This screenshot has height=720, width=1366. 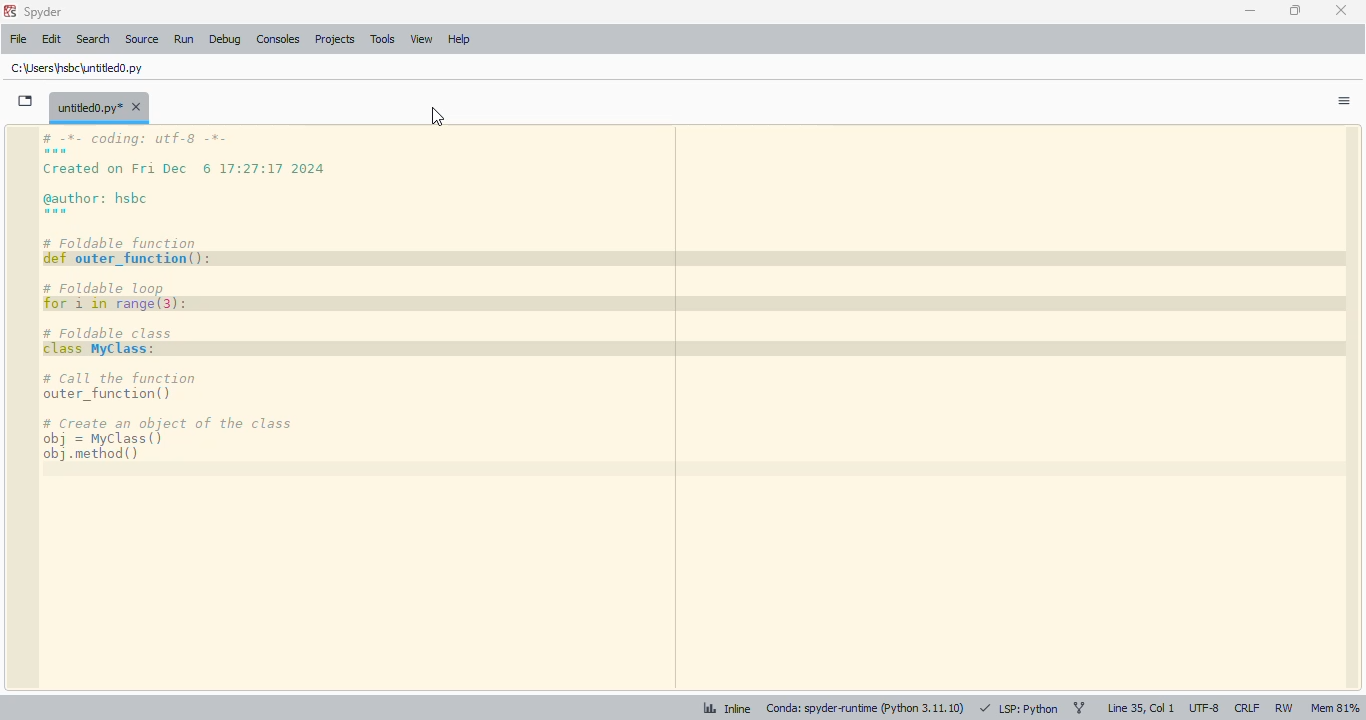 What do you see at coordinates (1141, 708) in the screenshot?
I see `line 35, col 1` at bounding box center [1141, 708].